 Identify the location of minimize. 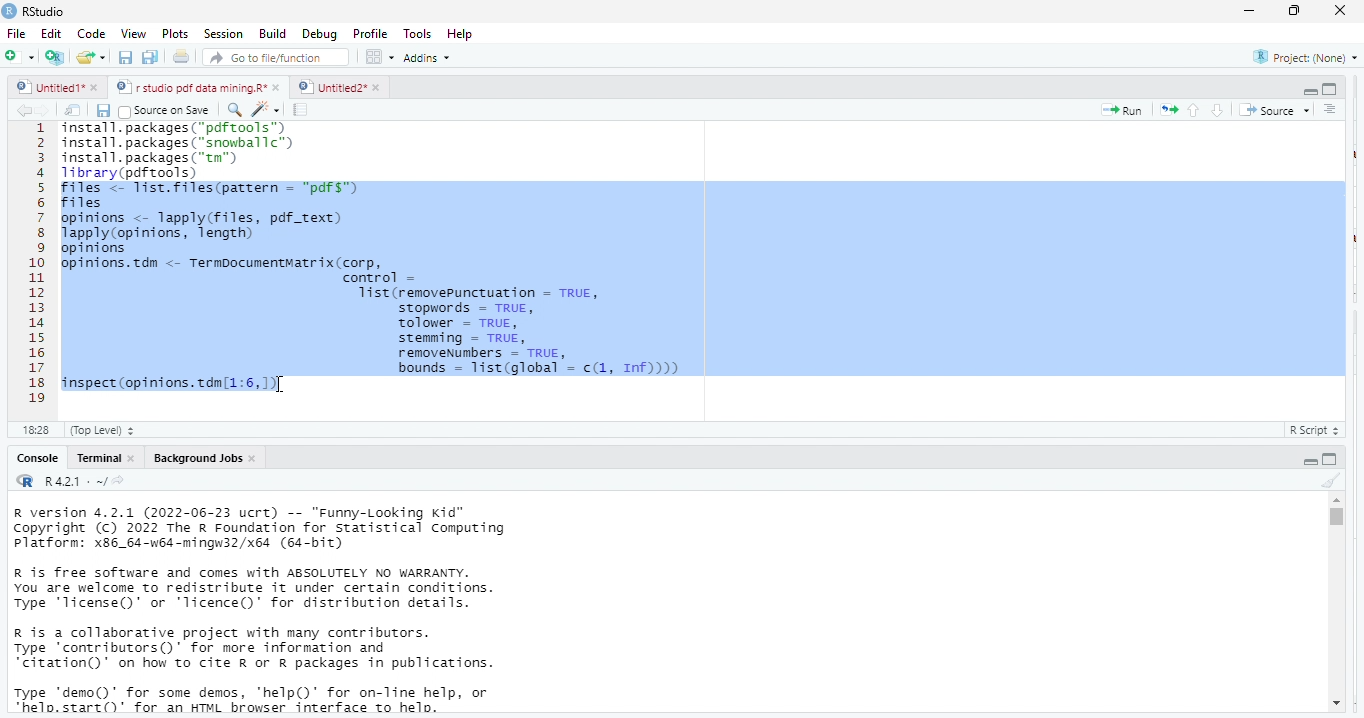
(1249, 10).